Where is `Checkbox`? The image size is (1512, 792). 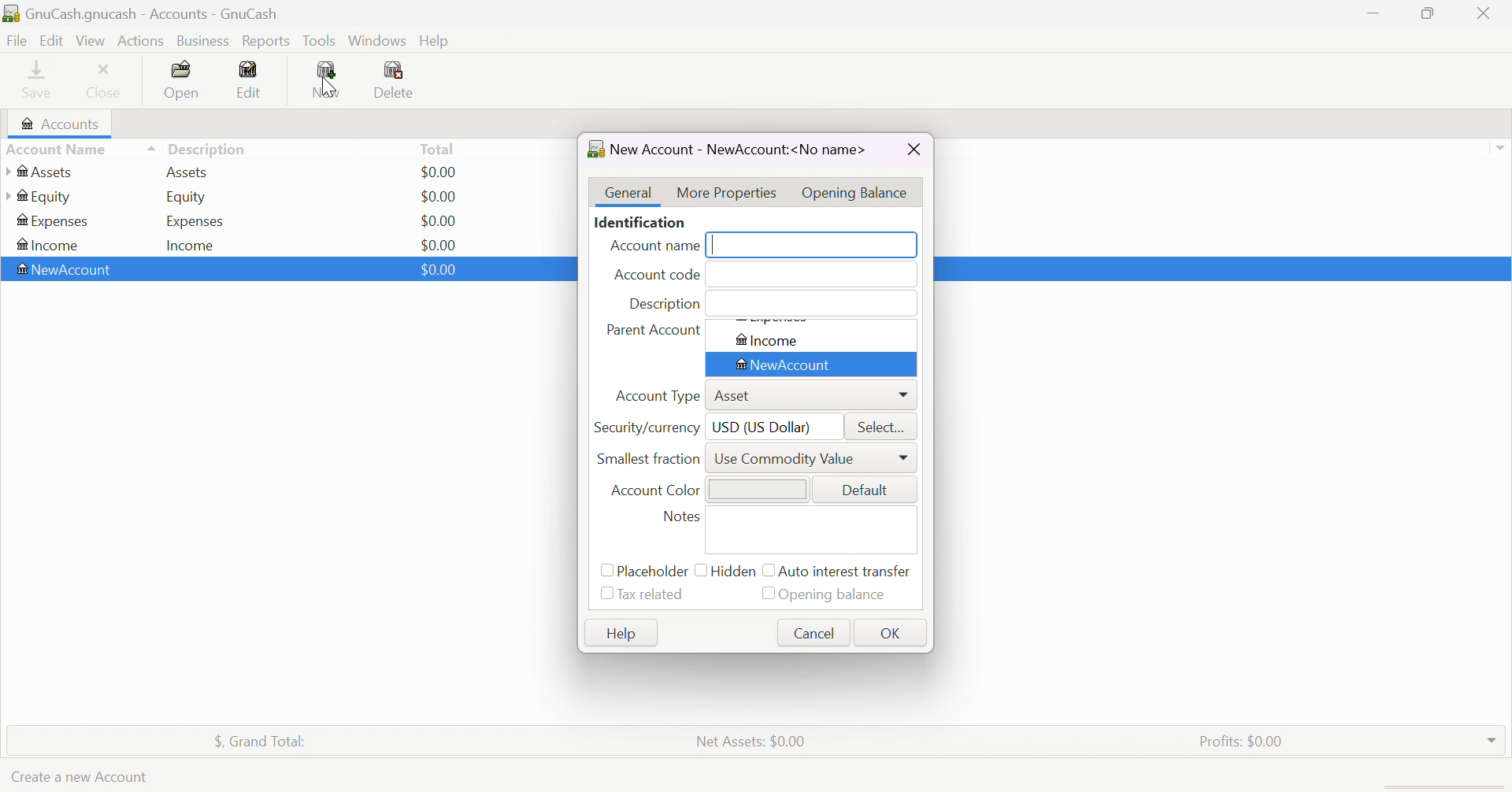 Checkbox is located at coordinates (606, 571).